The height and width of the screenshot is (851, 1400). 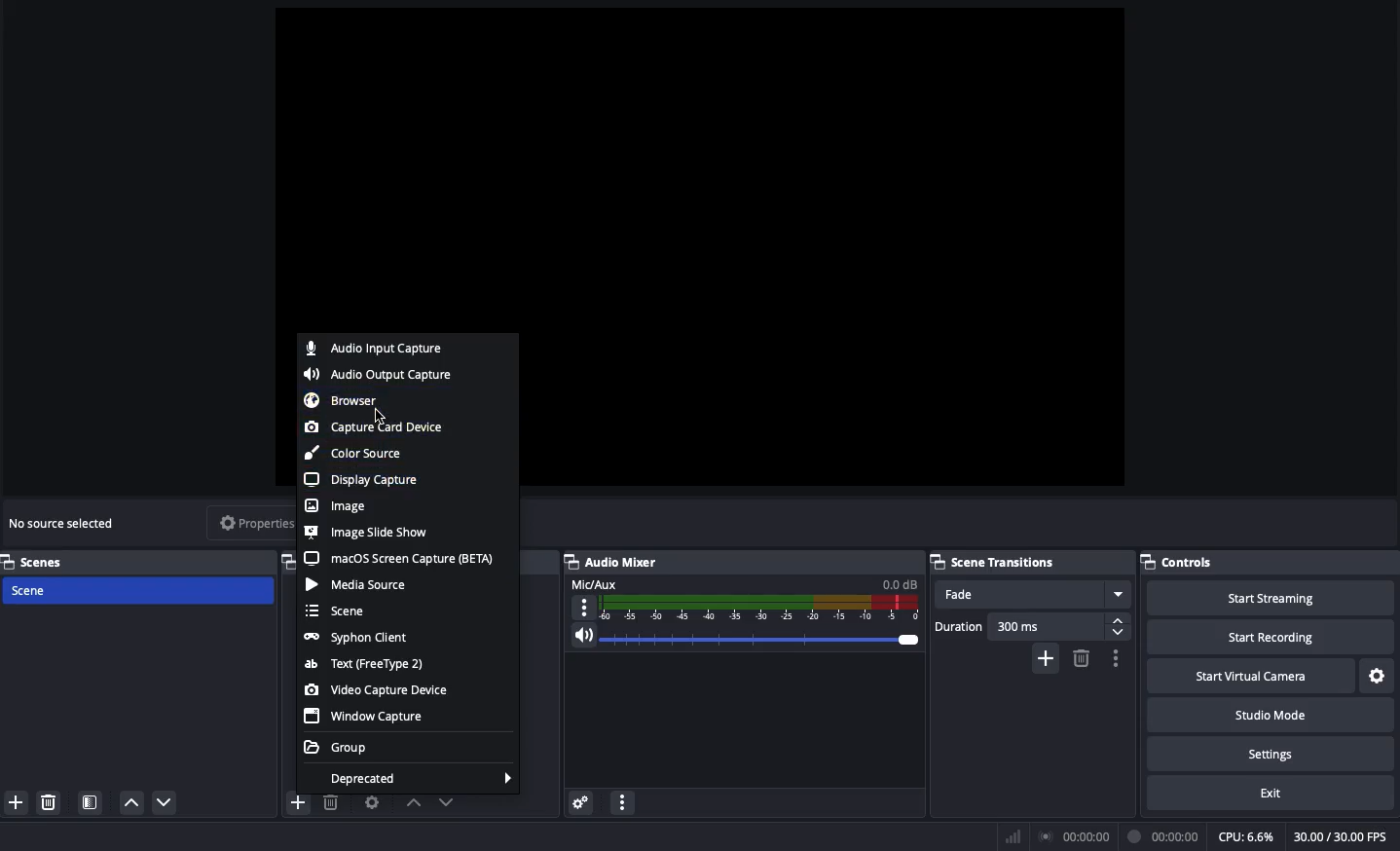 I want to click on Scene filter, so click(x=89, y=798).